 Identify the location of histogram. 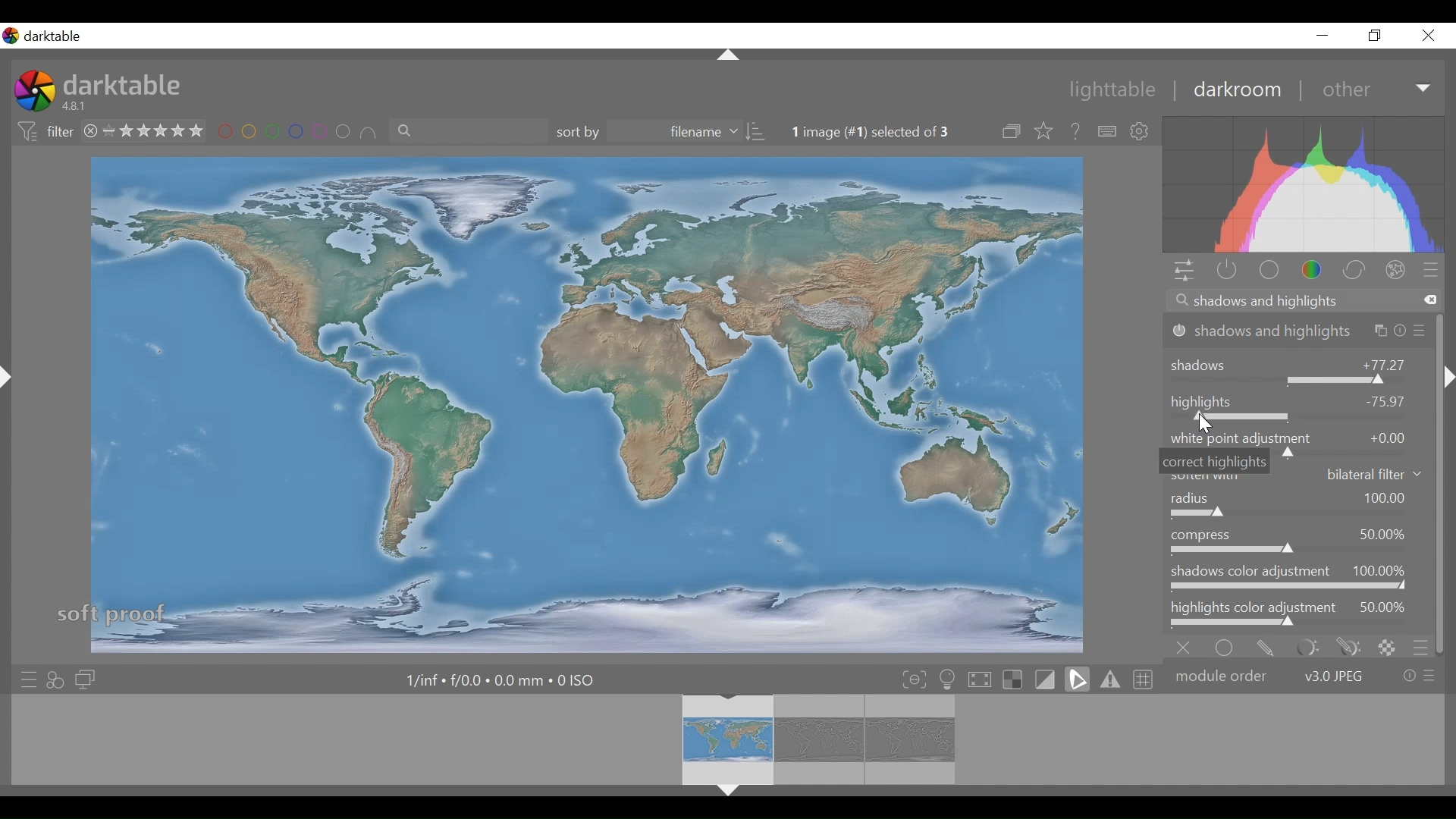
(1305, 184).